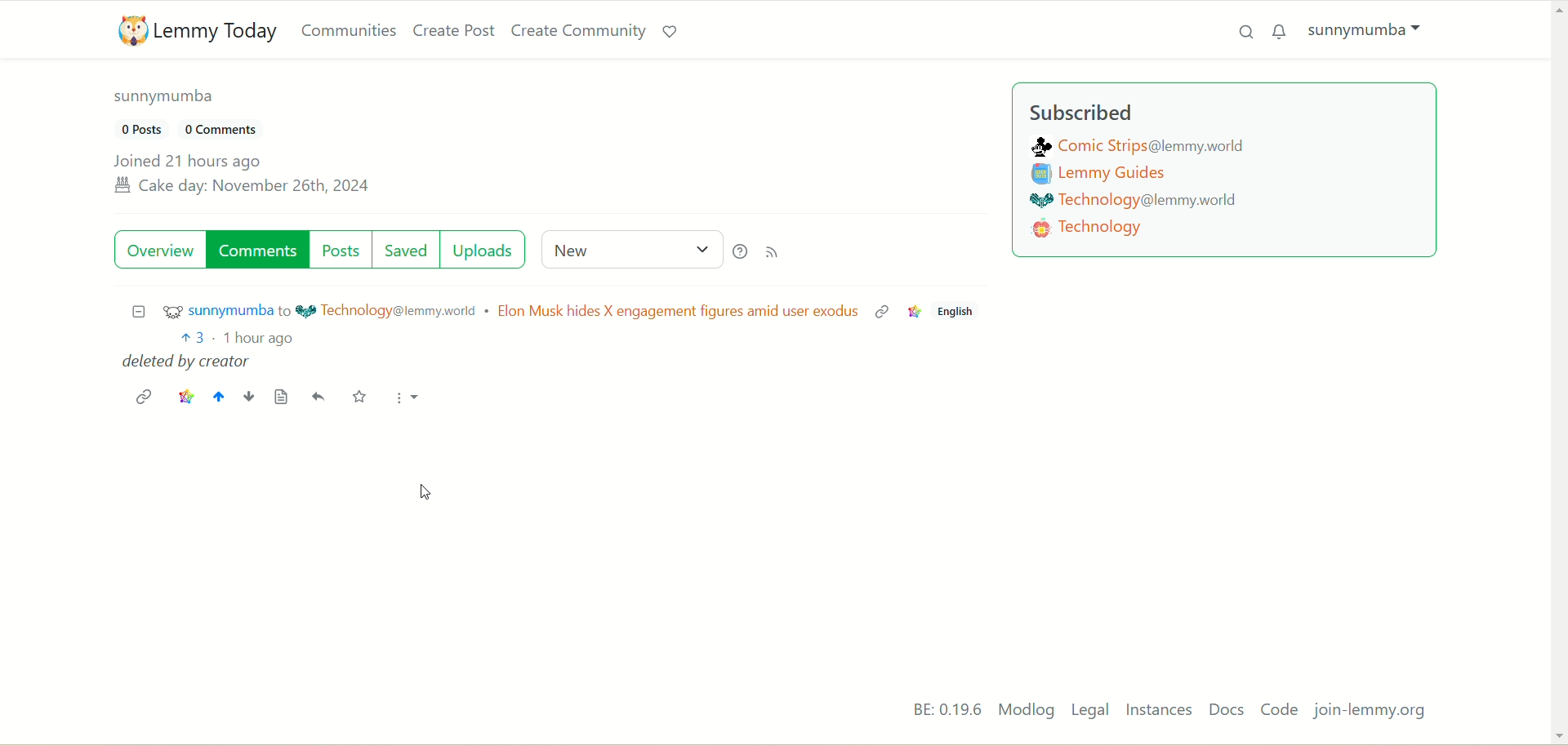 The width and height of the screenshot is (1568, 746). I want to click on 0 posts, so click(141, 128).